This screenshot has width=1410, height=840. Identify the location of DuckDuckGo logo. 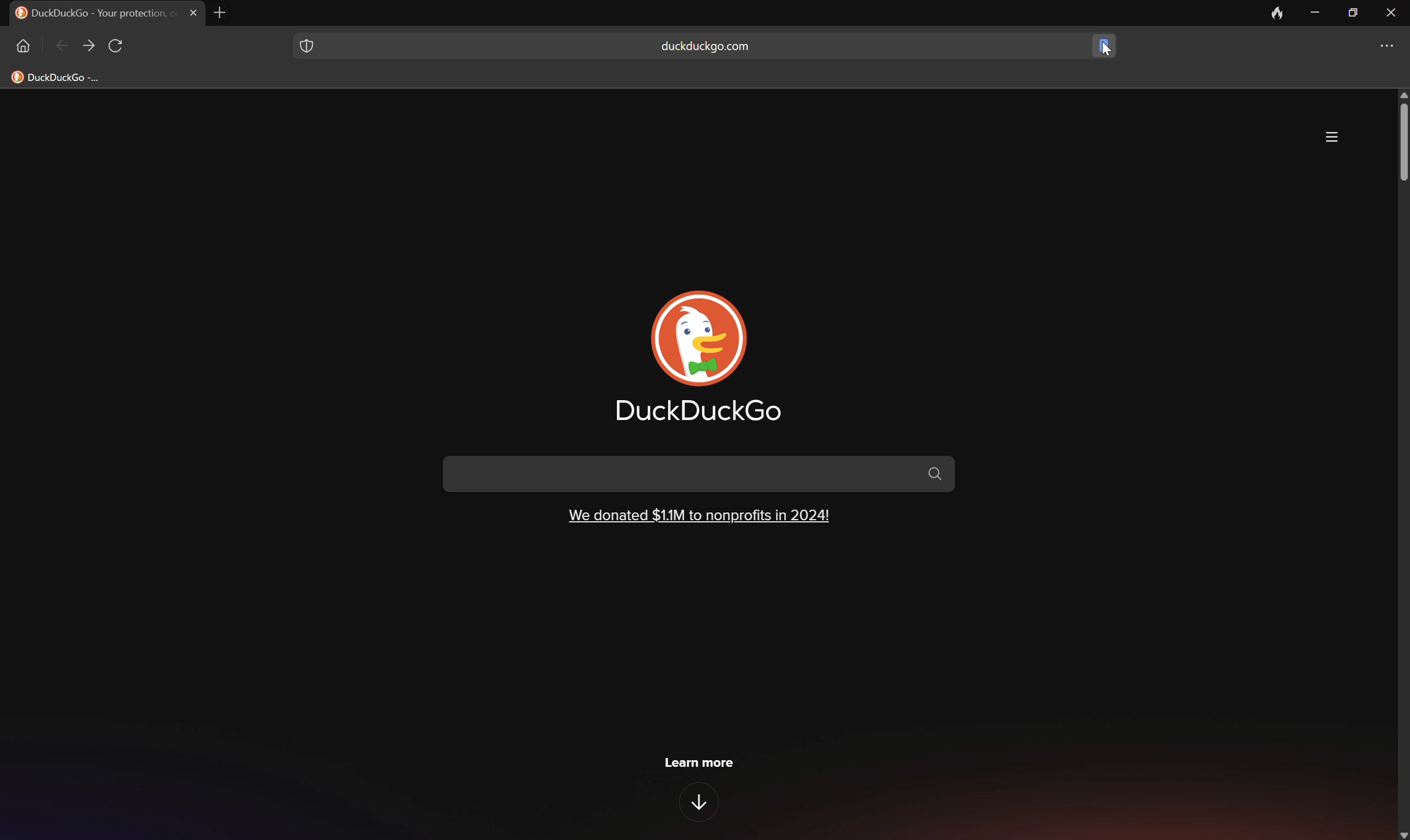
(700, 338).